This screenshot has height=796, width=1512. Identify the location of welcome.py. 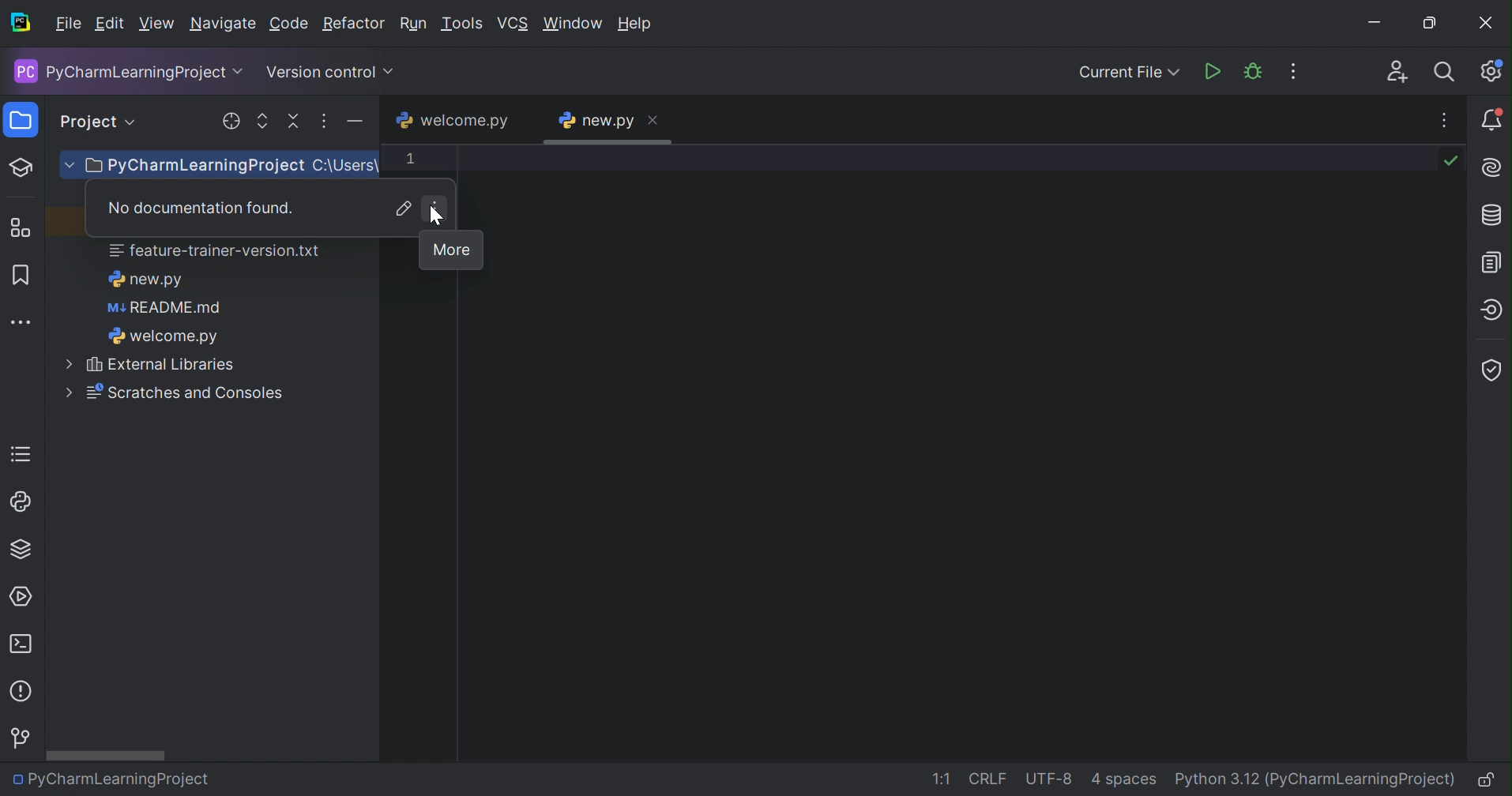
(162, 338).